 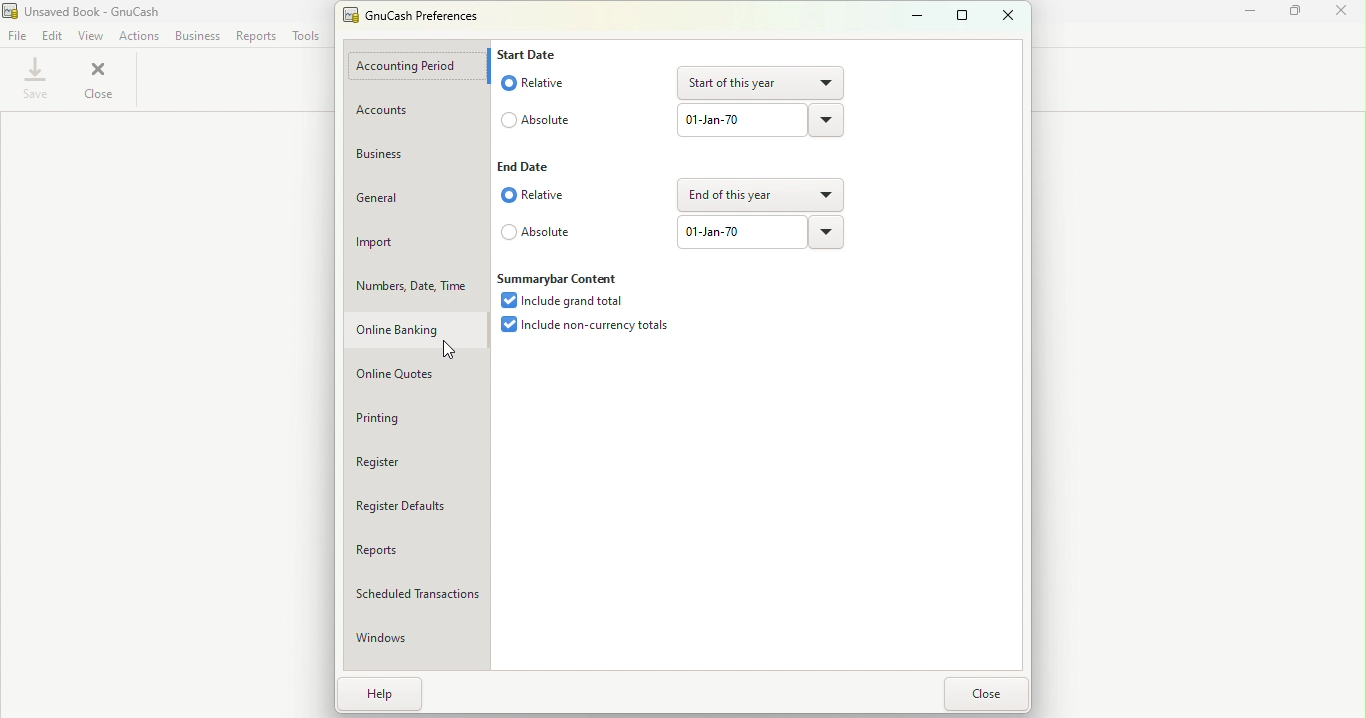 What do you see at coordinates (733, 120) in the screenshot?
I see `01-jan-70` at bounding box center [733, 120].